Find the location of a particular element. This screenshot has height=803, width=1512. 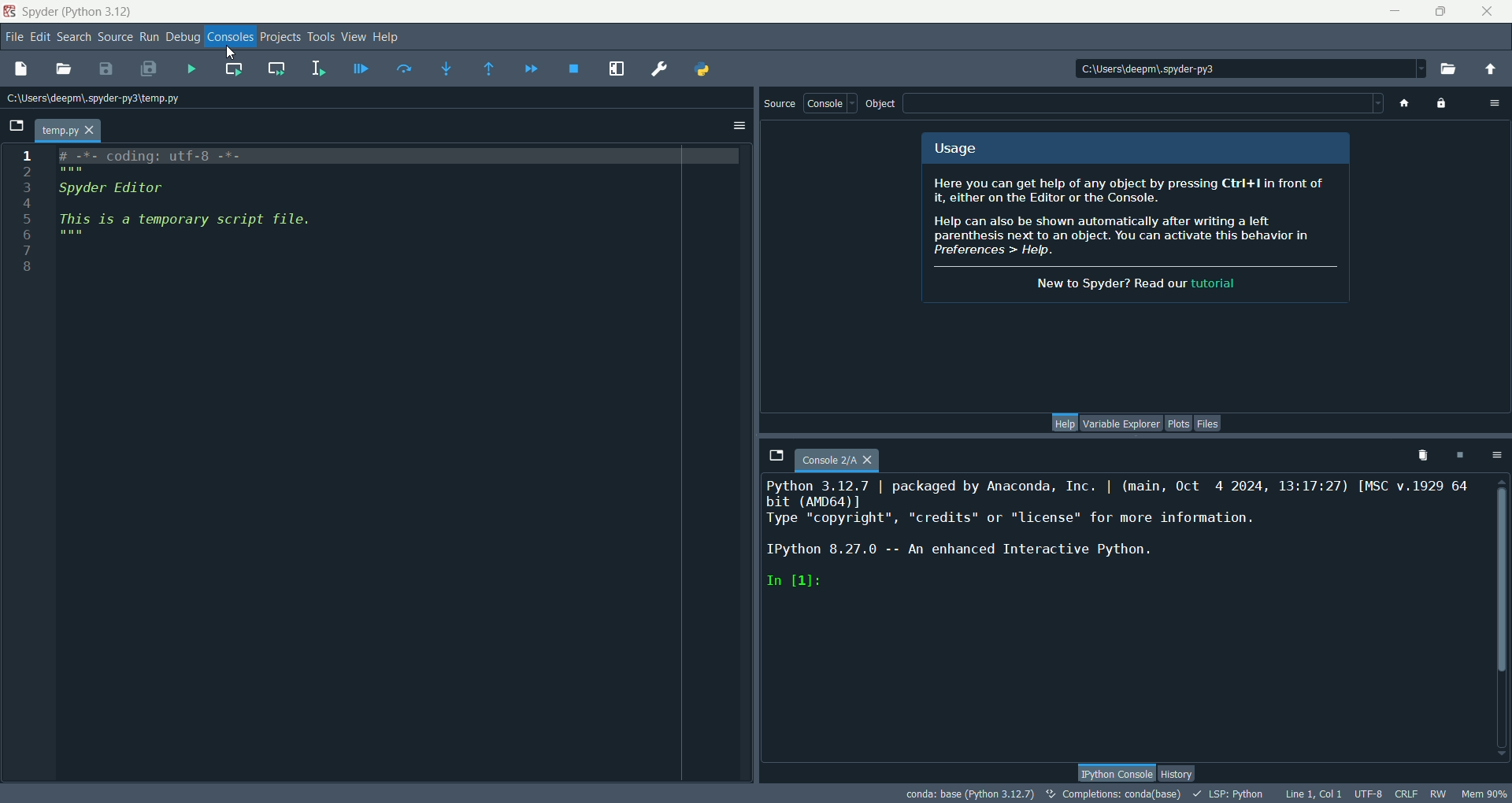

cursor is located at coordinates (229, 53).